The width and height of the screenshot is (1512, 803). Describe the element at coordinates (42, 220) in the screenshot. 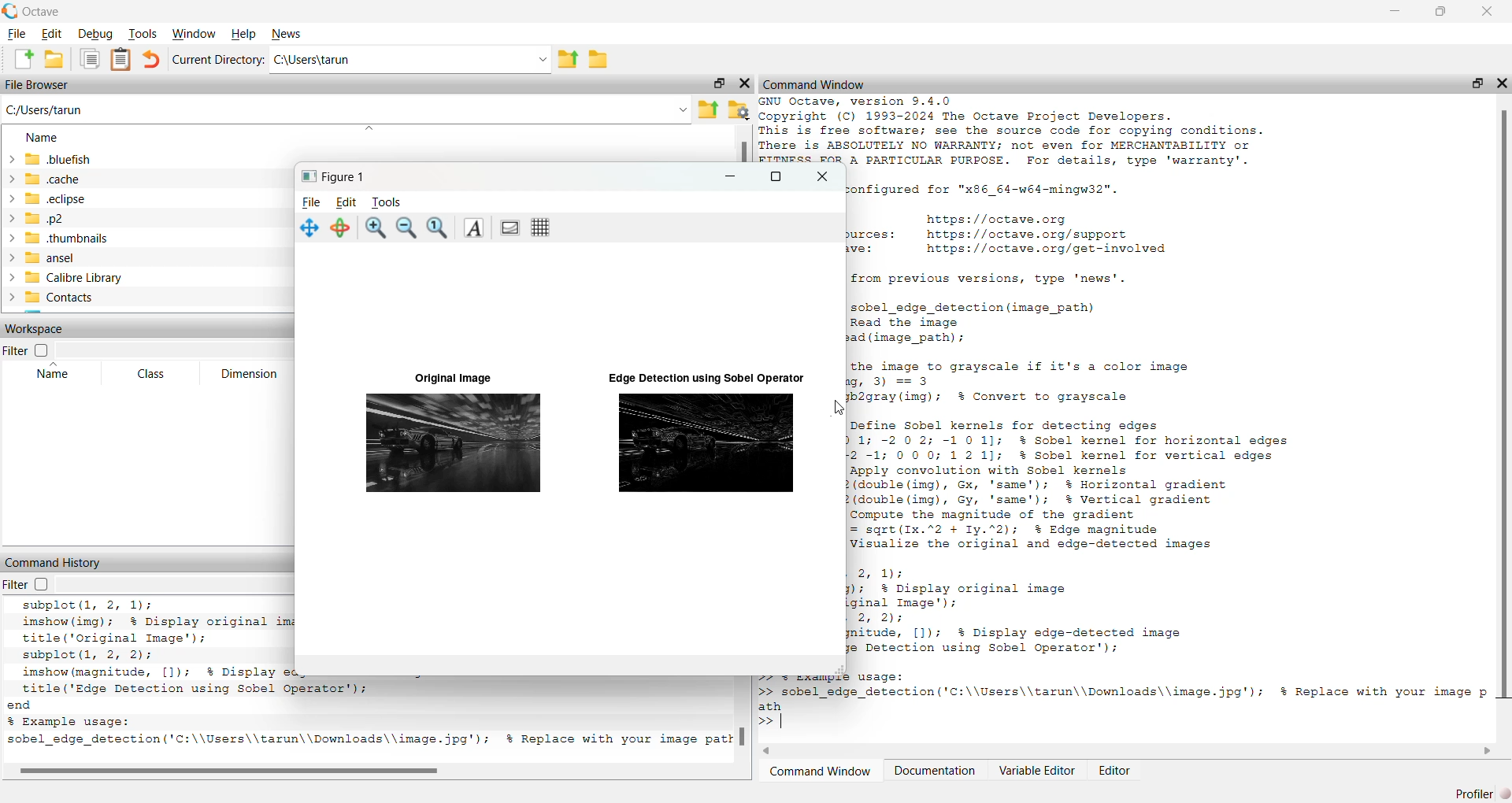

I see `p2` at that location.